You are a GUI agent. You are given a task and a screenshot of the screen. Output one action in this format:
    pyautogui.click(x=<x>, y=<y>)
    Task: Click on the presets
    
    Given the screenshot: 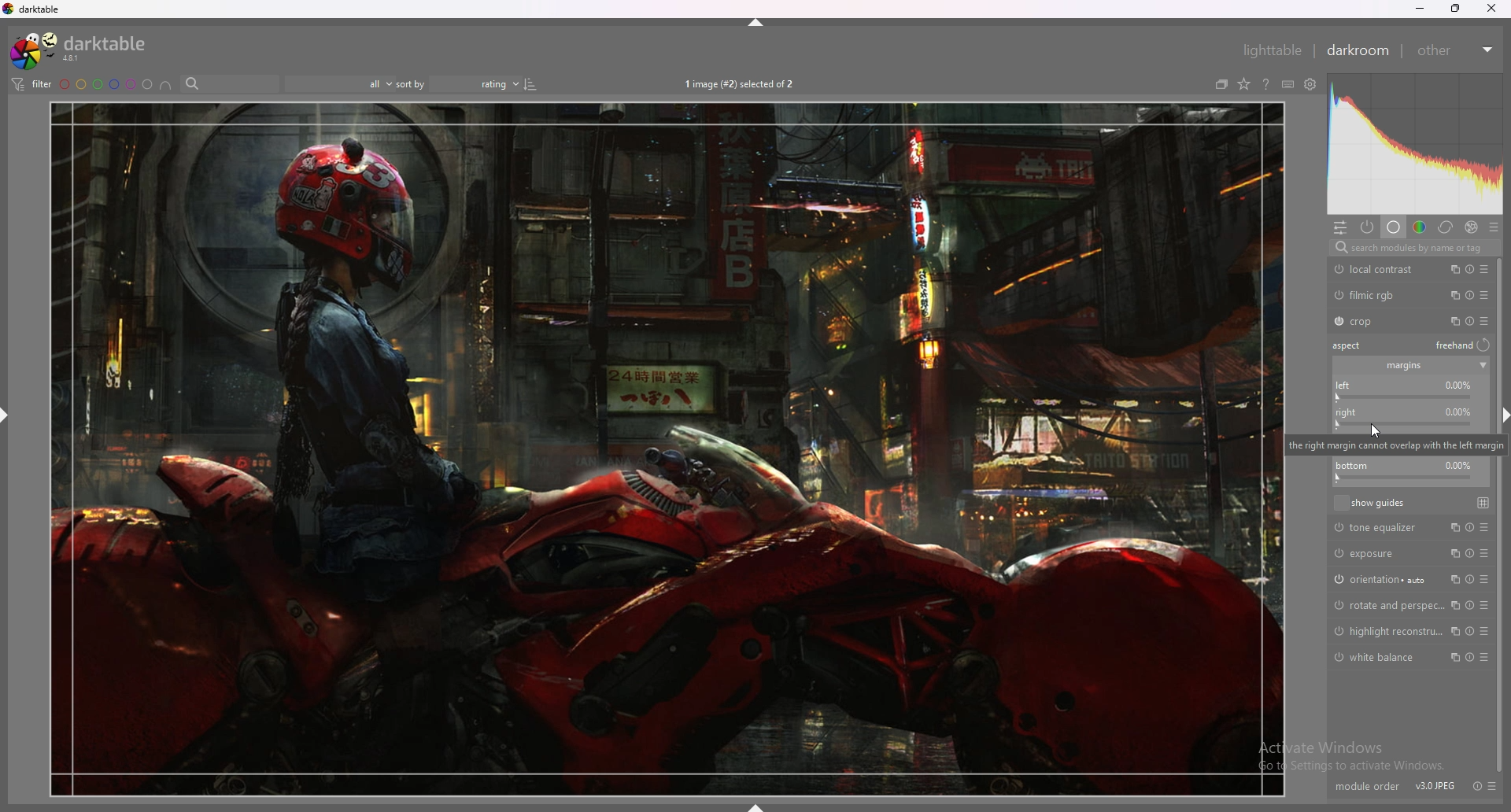 What is the action you would take?
    pyautogui.click(x=1487, y=658)
    